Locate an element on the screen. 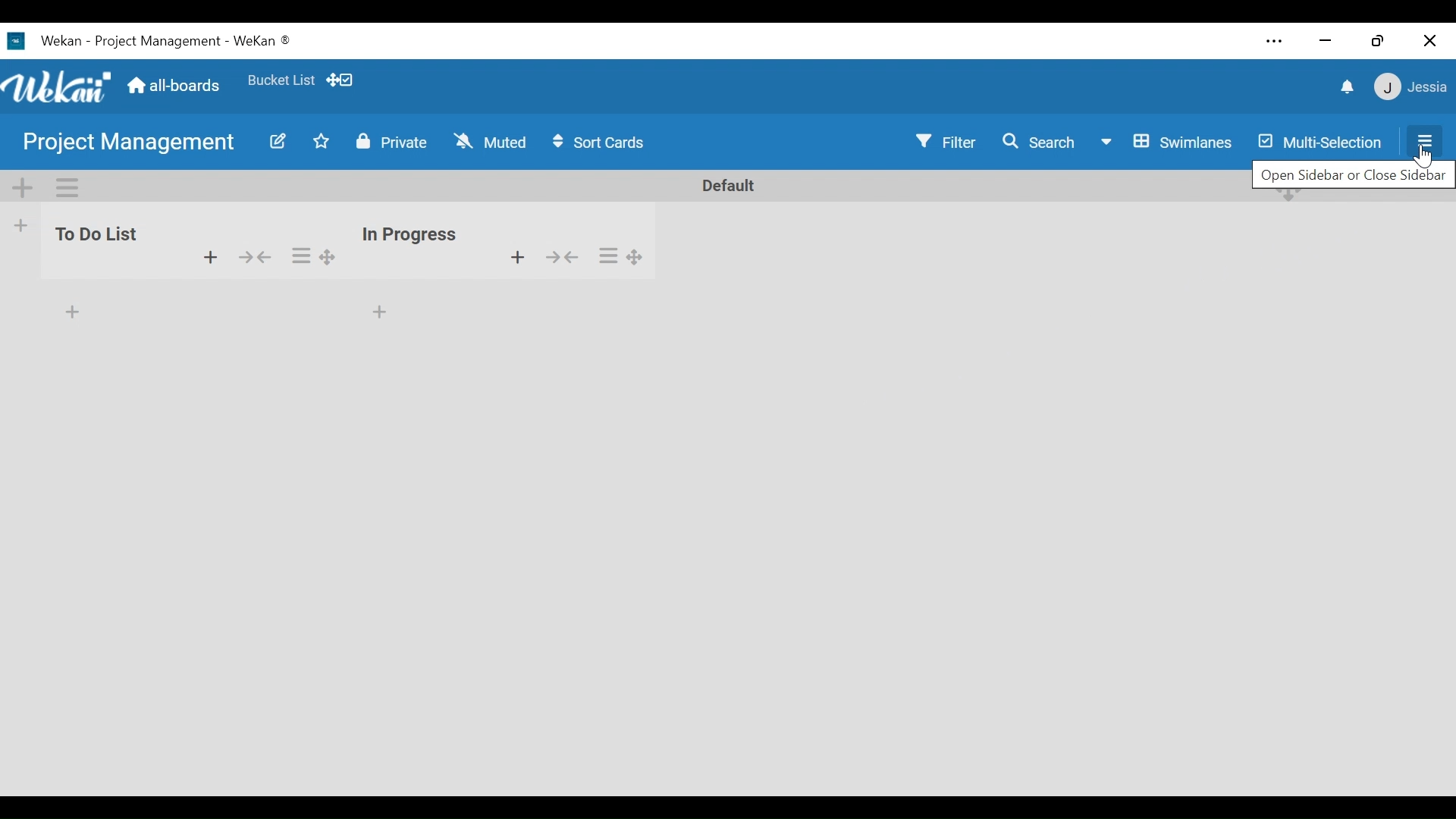  Sort Card is located at coordinates (606, 143).